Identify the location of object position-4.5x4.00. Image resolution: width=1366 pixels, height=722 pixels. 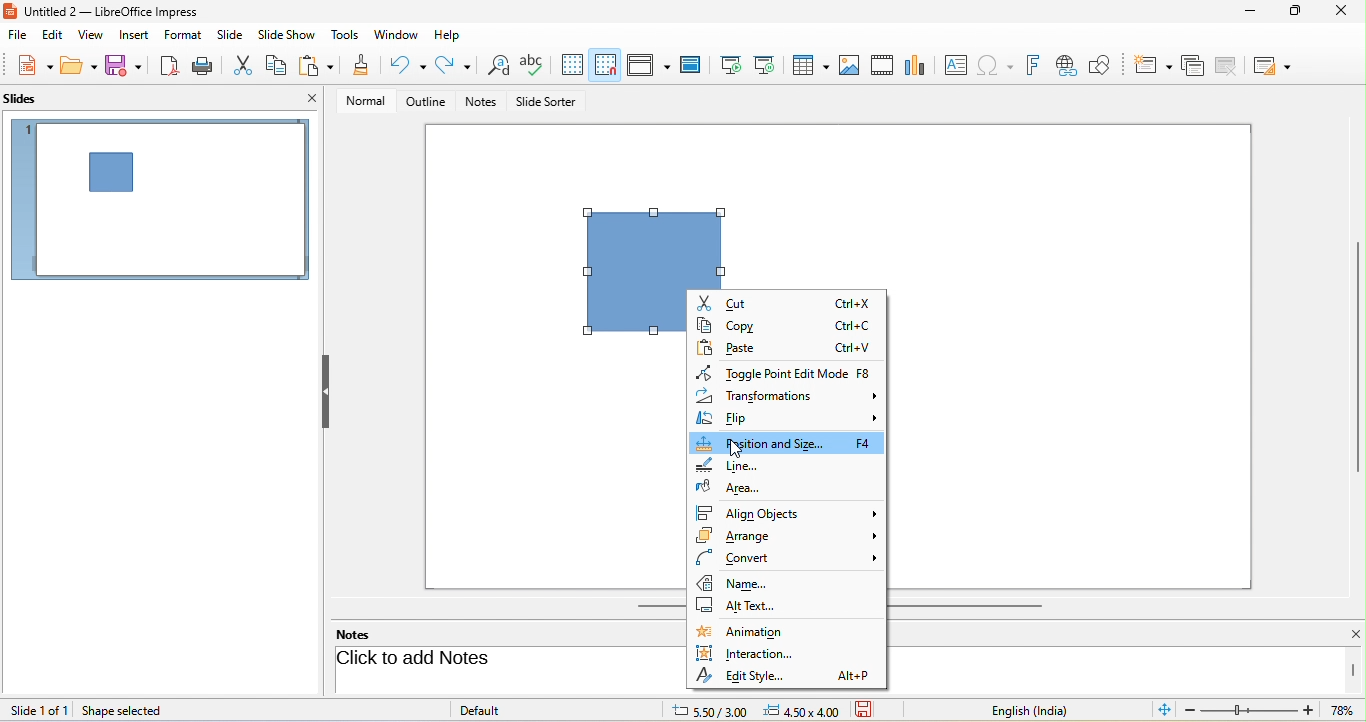
(800, 710).